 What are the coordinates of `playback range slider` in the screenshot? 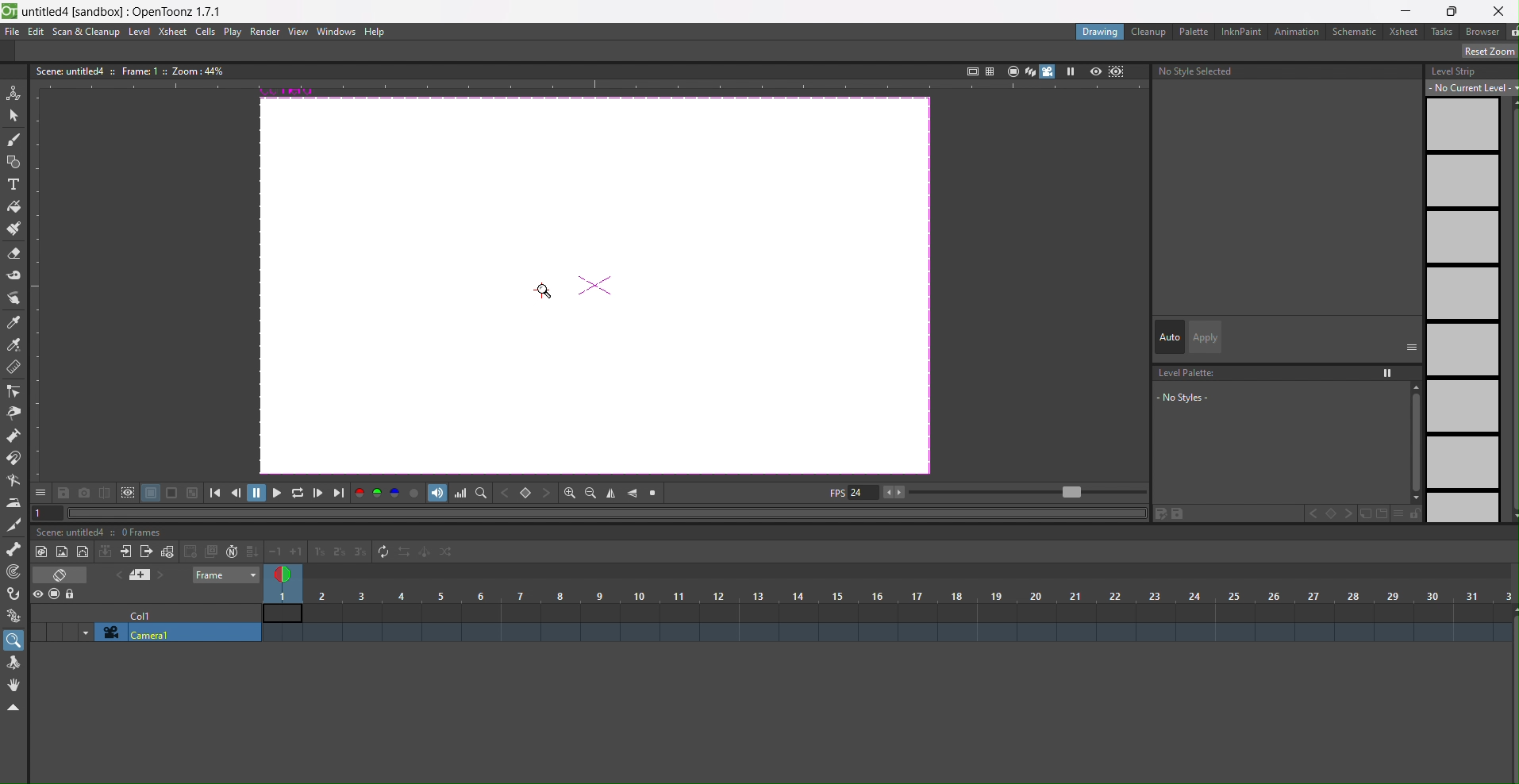 It's located at (1017, 490).